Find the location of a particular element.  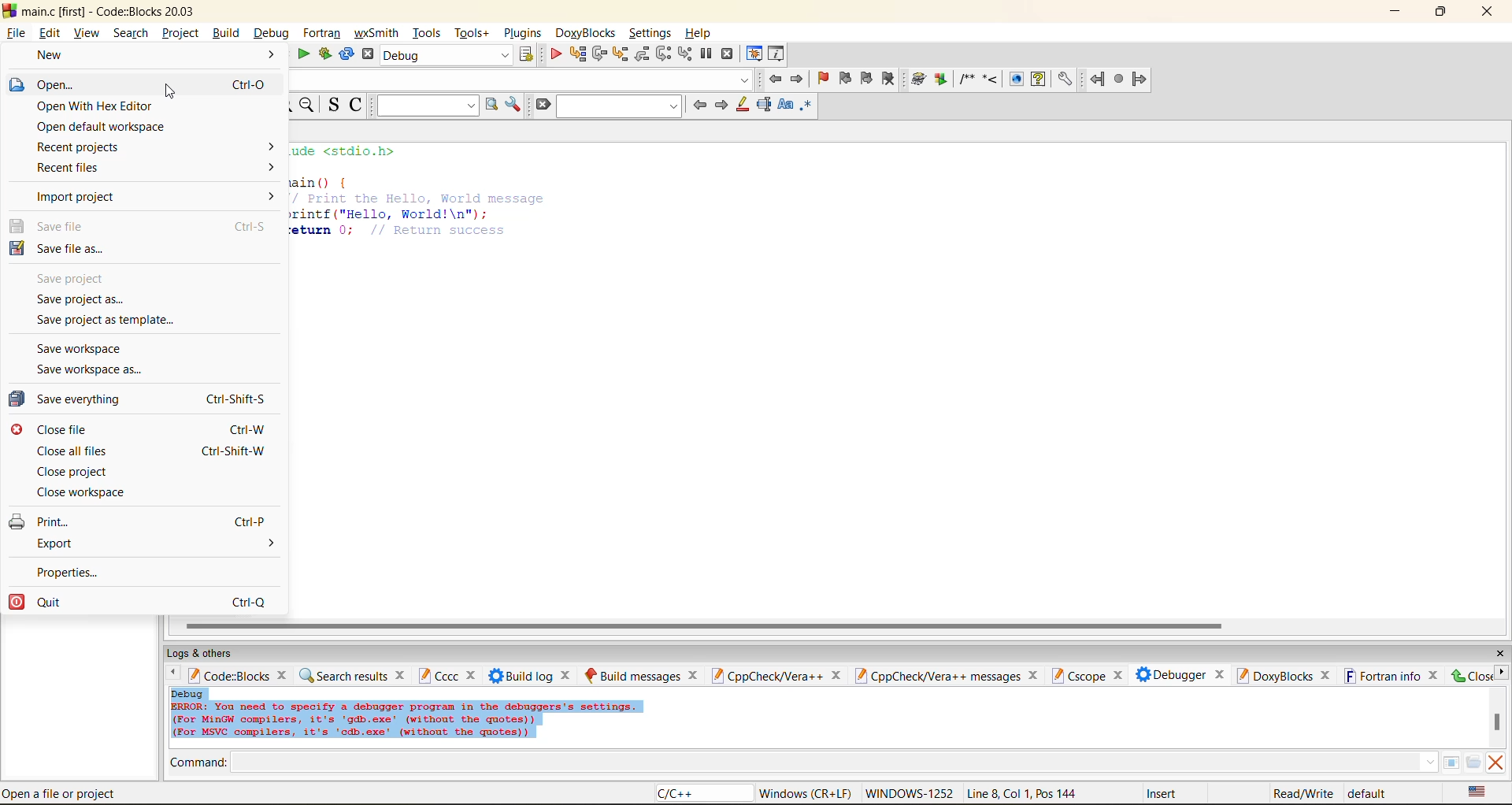

debug is located at coordinates (269, 33).